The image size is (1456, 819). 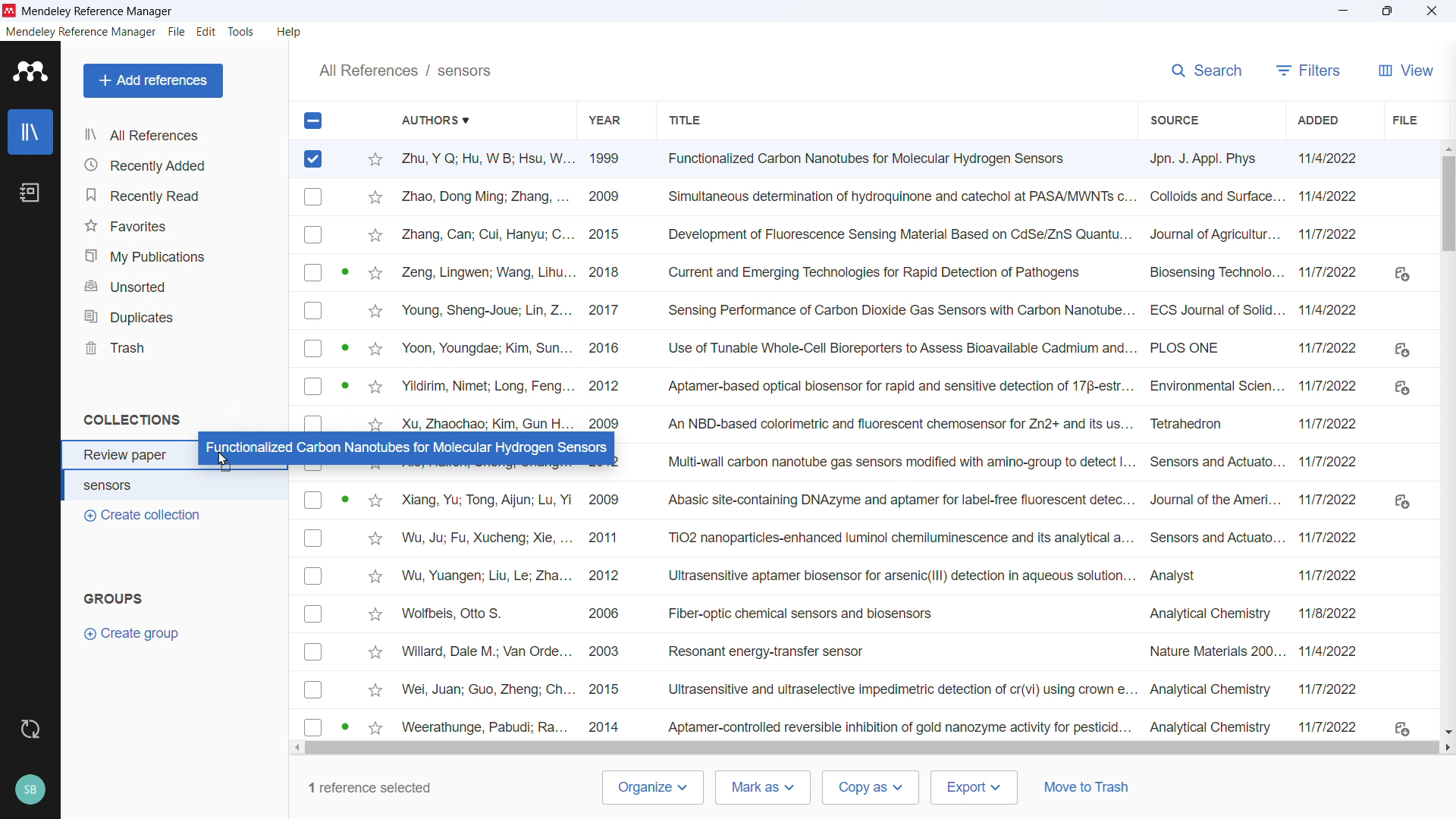 What do you see at coordinates (224, 463) in the screenshot?
I see `Cursor` at bounding box center [224, 463].